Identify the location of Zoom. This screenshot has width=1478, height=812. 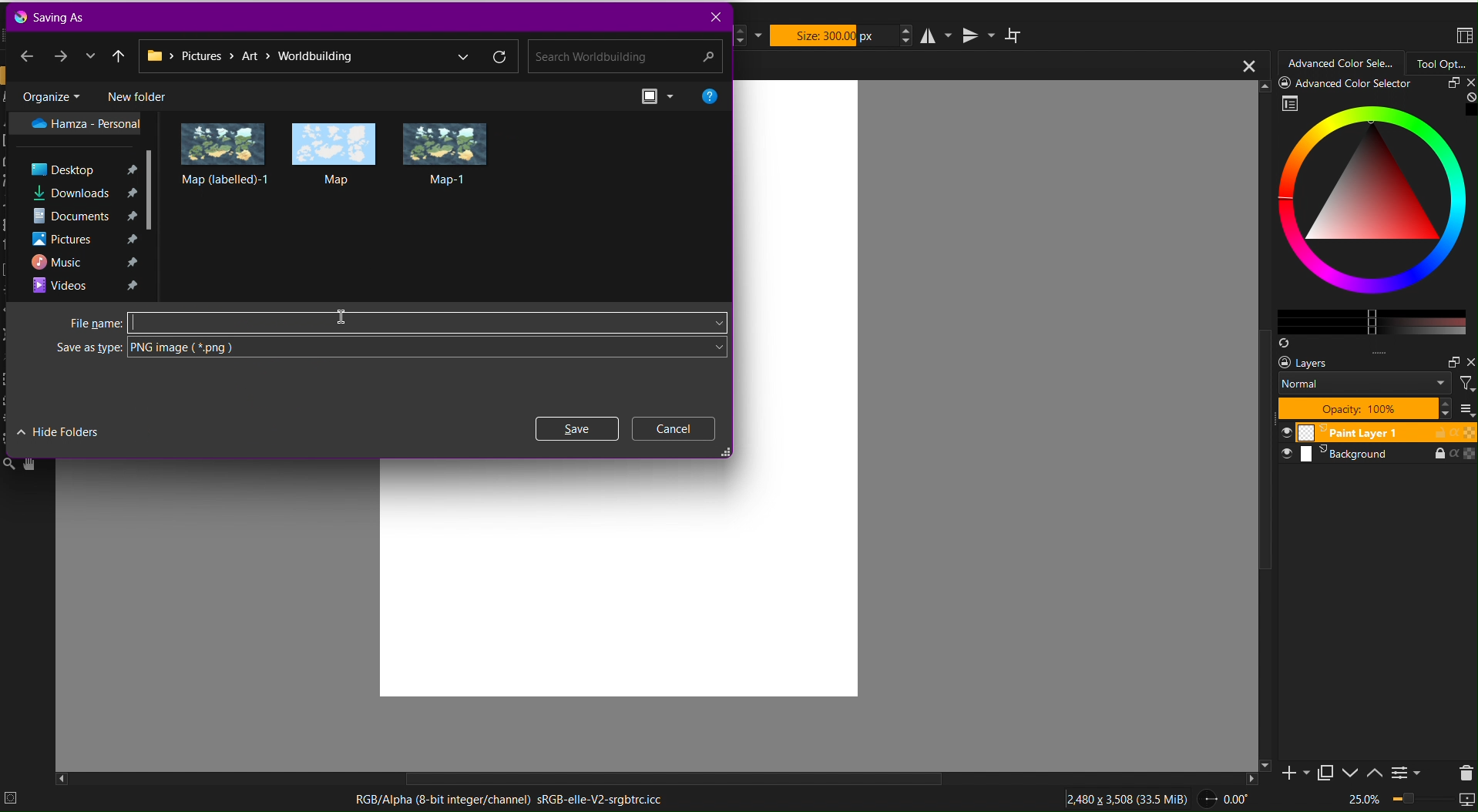
(1409, 800).